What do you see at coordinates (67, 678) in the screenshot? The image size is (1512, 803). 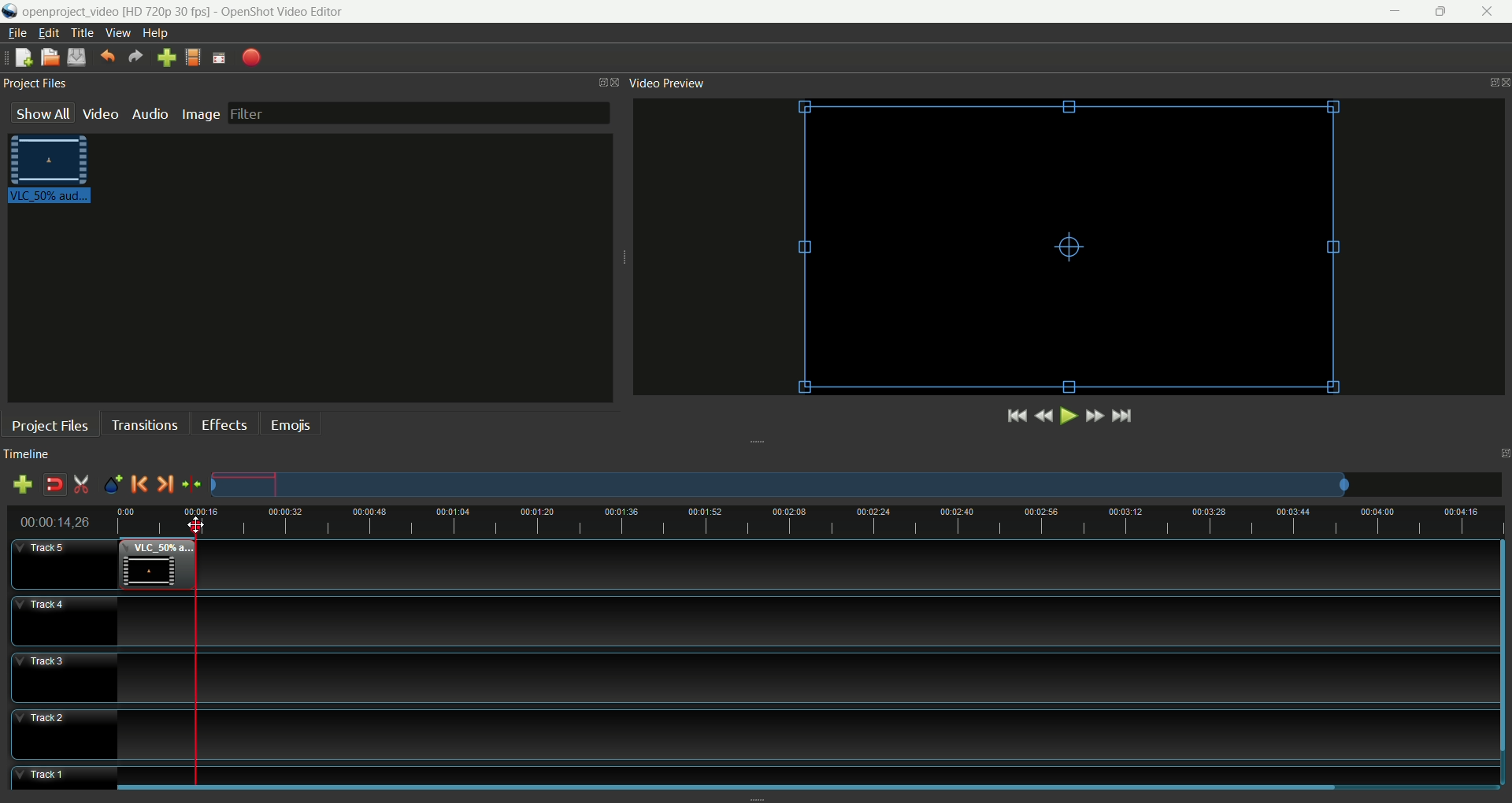 I see `track3` at bounding box center [67, 678].